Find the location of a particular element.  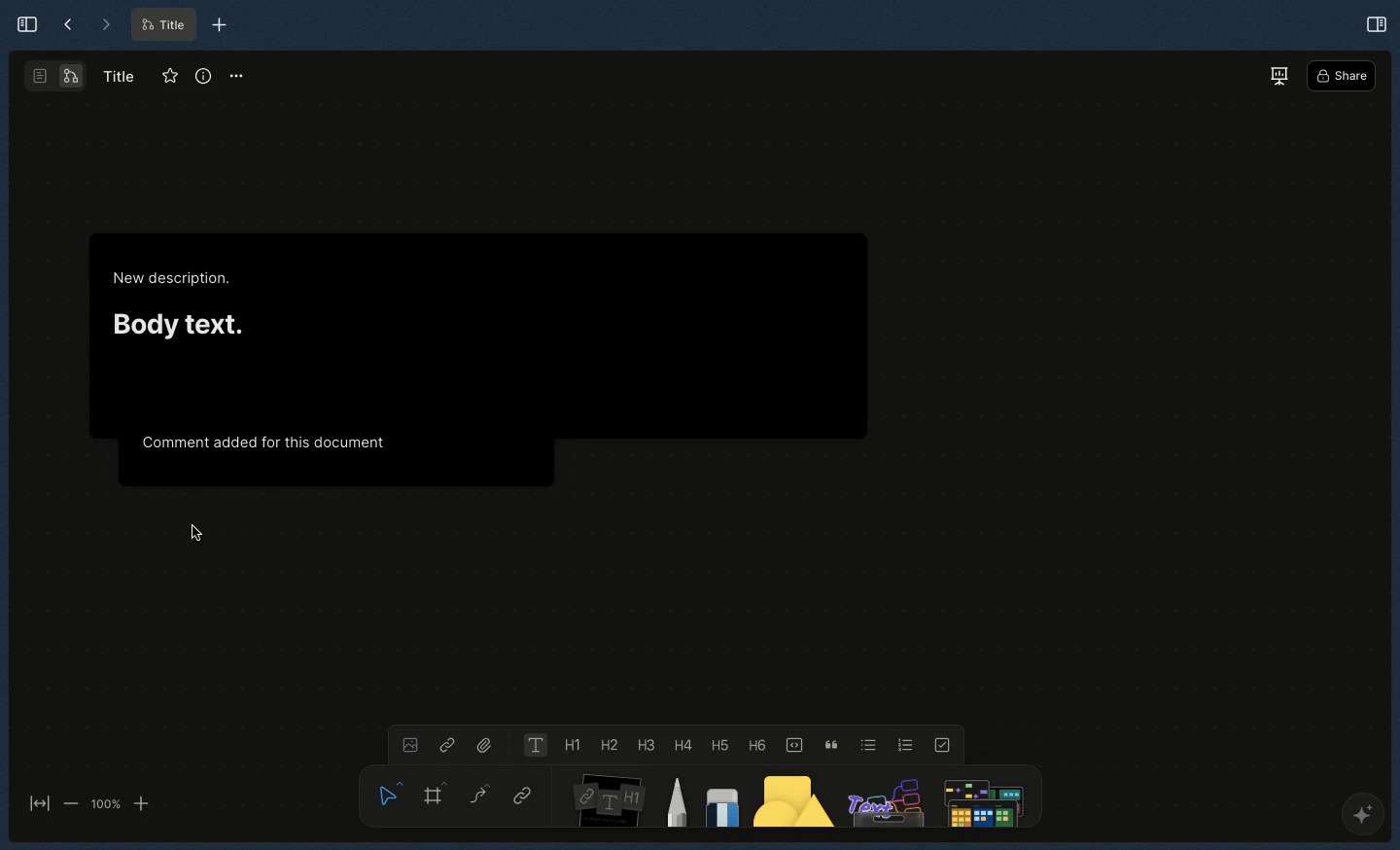

Expand sidebar is located at coordinates (21, 23).